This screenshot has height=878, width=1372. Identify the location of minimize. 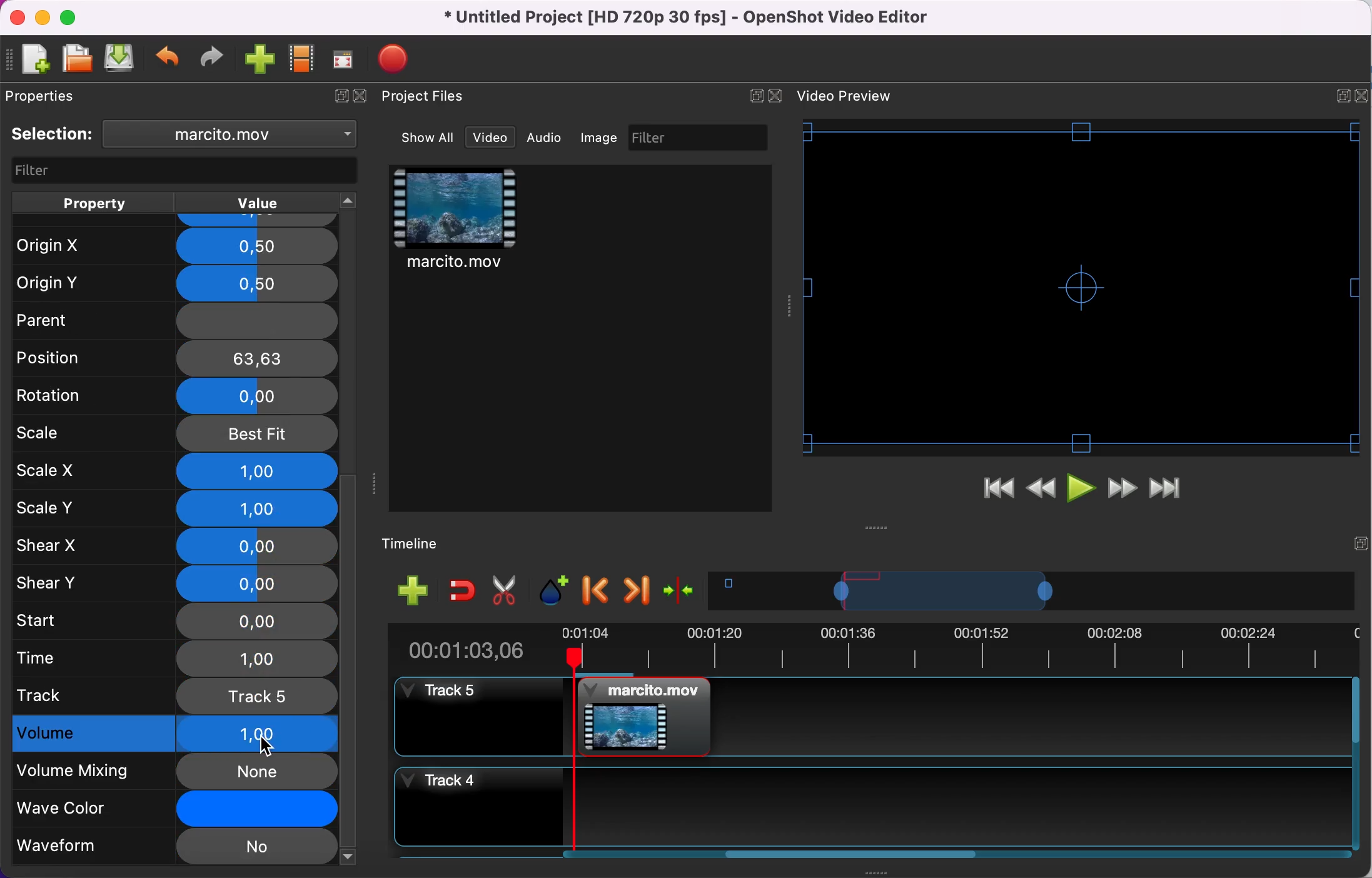
(42, 17).